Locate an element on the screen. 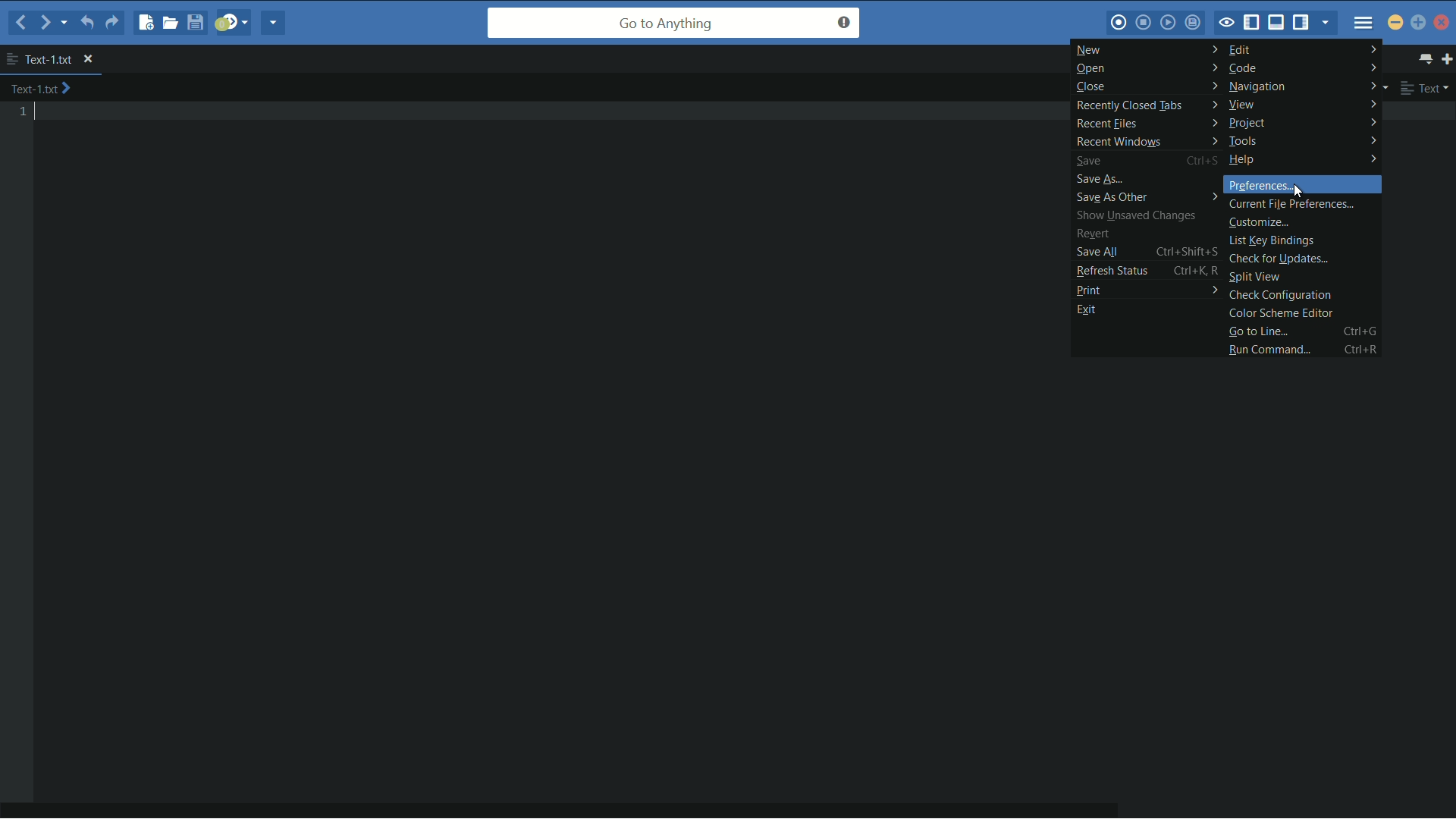 This screenshot has width=1456, height=819. play last macro is located at coordinates (1167, 23).